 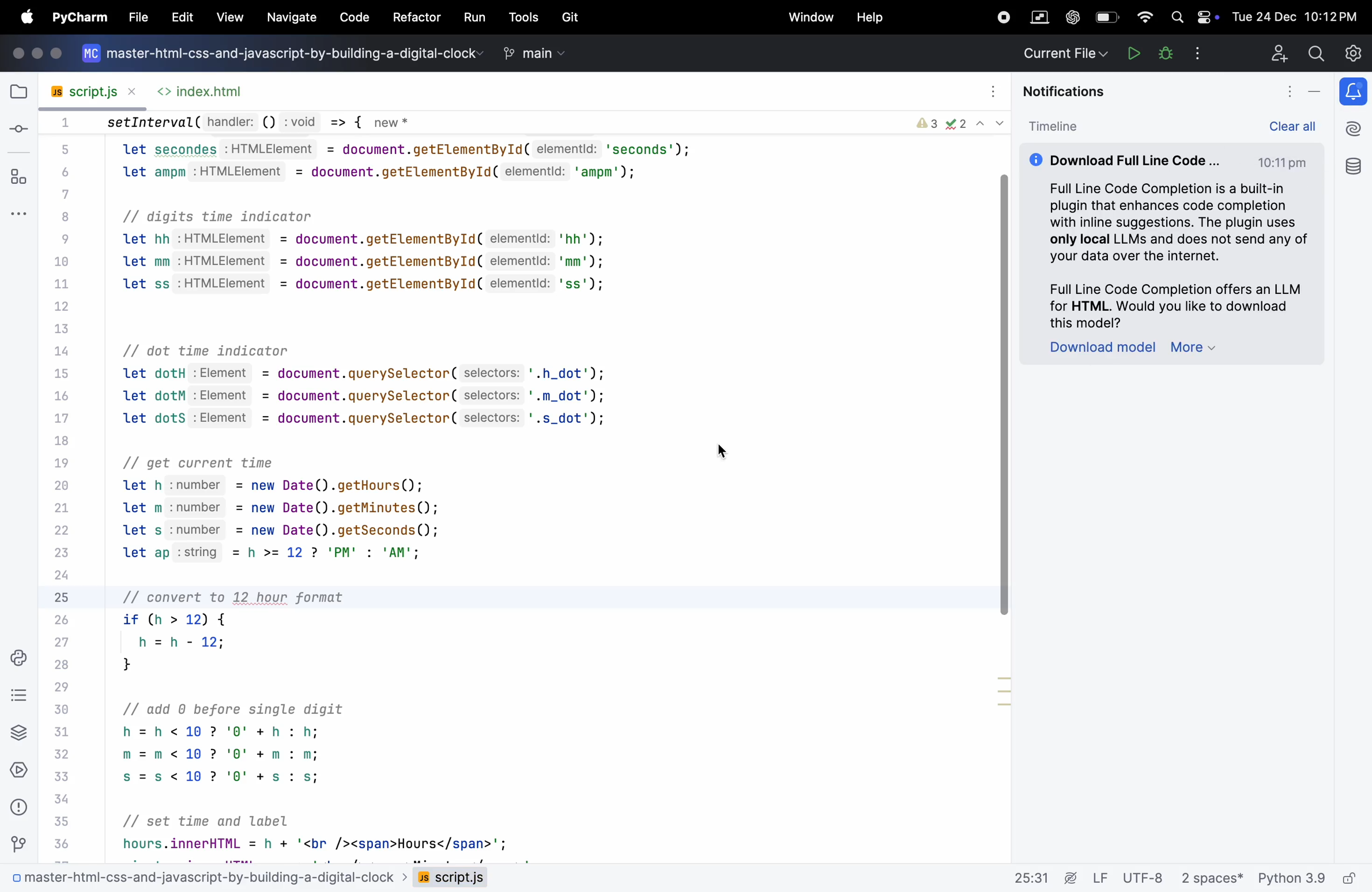 I want to click on clear all, so click(x=1299, y=124).